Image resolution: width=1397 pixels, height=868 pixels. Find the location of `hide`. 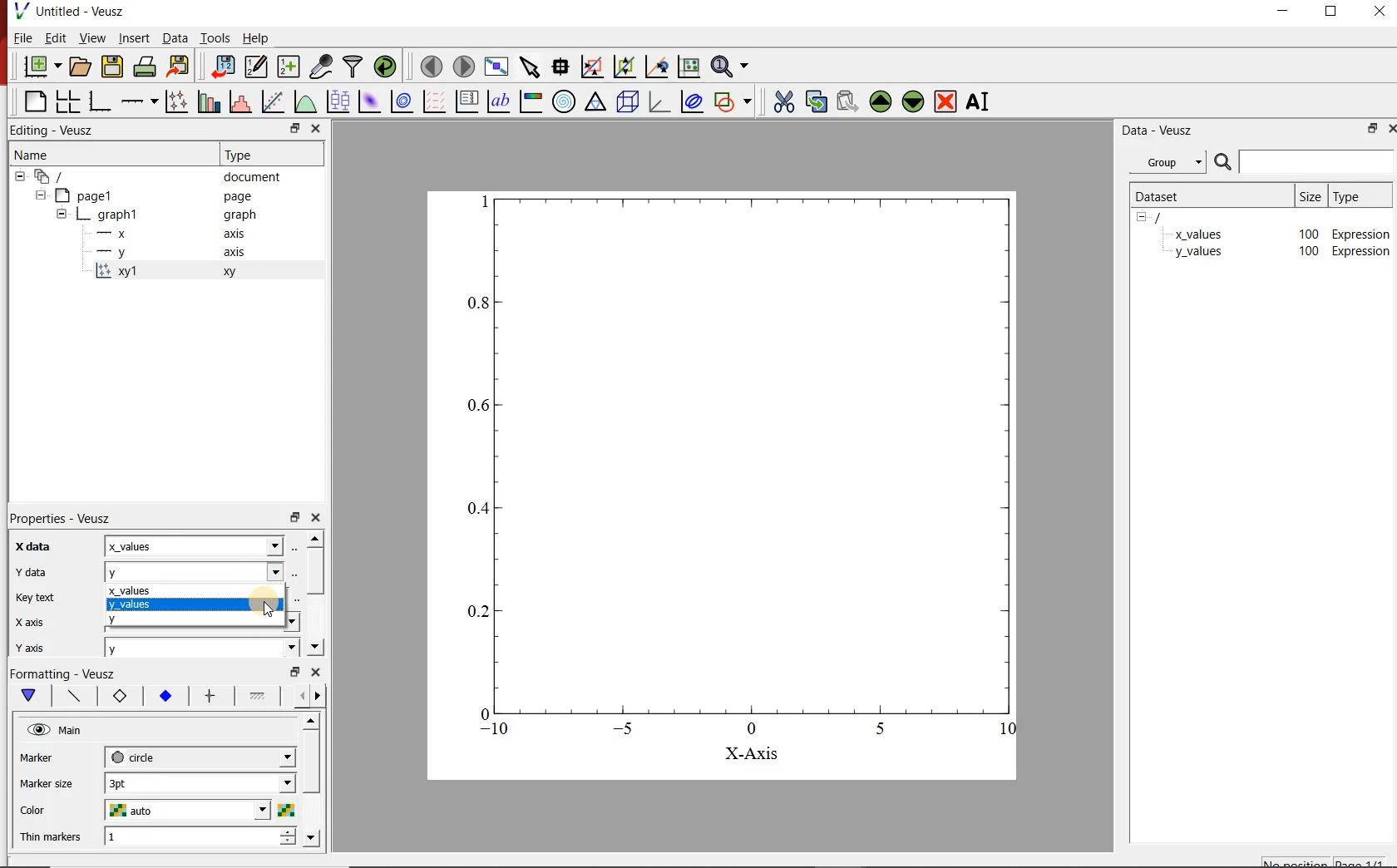

hide is located at coordinates (62, 213).